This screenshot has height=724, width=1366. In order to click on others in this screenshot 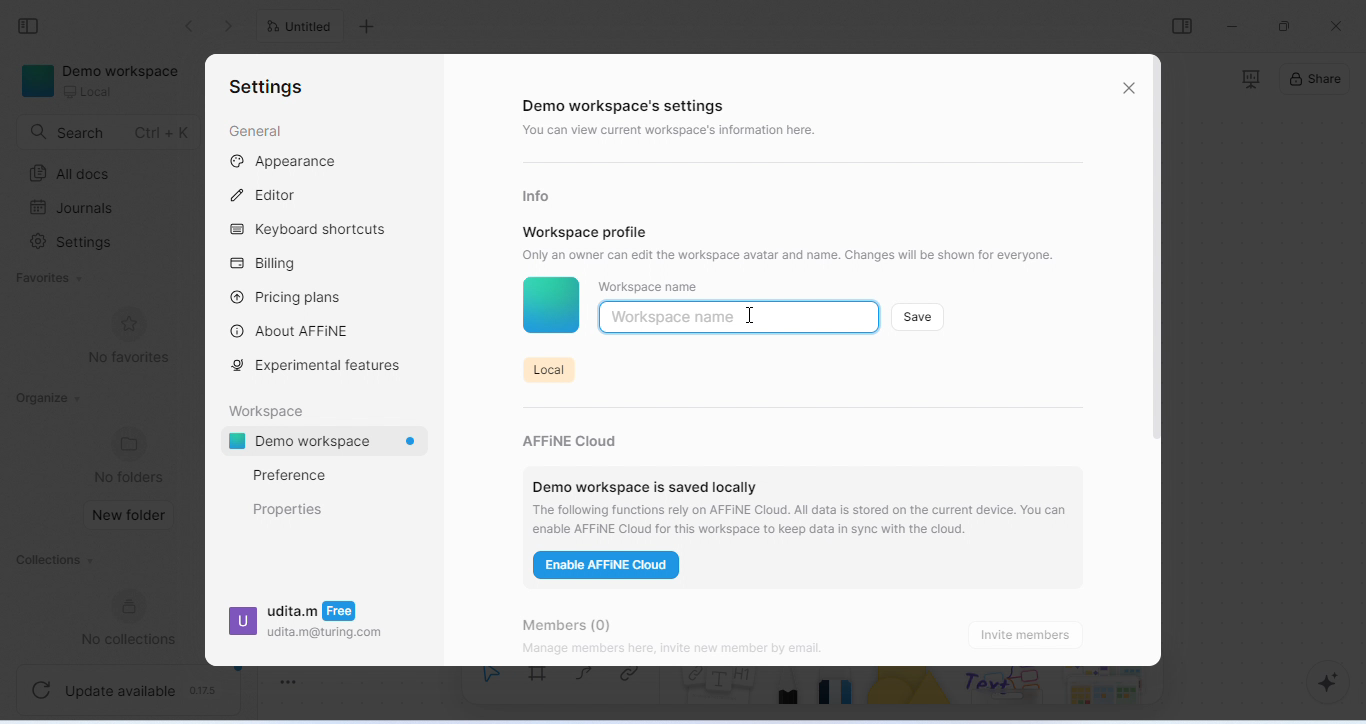, I will do `click(1007, 688)`.